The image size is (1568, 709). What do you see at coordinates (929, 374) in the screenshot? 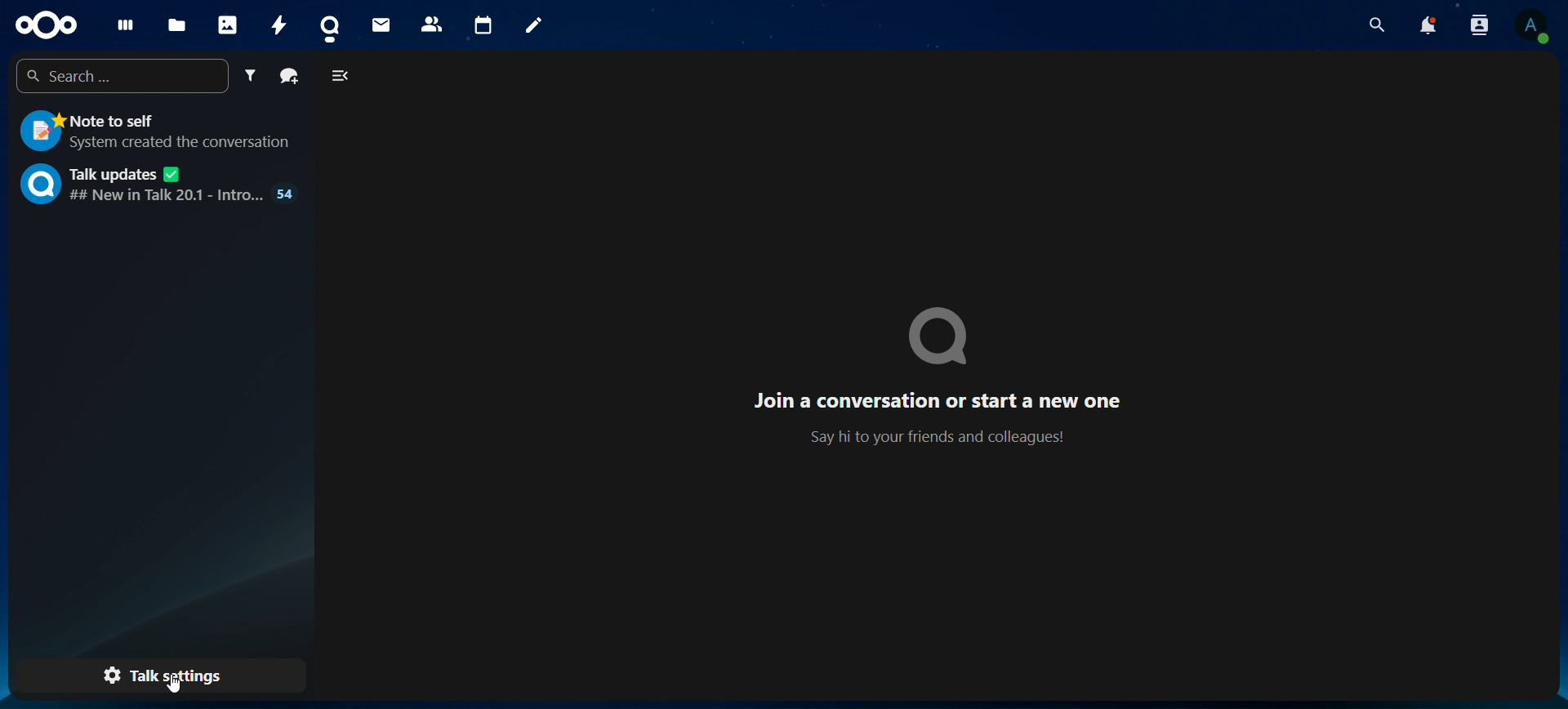
I see `Join conversation or start a new one   Say hi to your friends and colleagues!` at bounding box center [929, 374].